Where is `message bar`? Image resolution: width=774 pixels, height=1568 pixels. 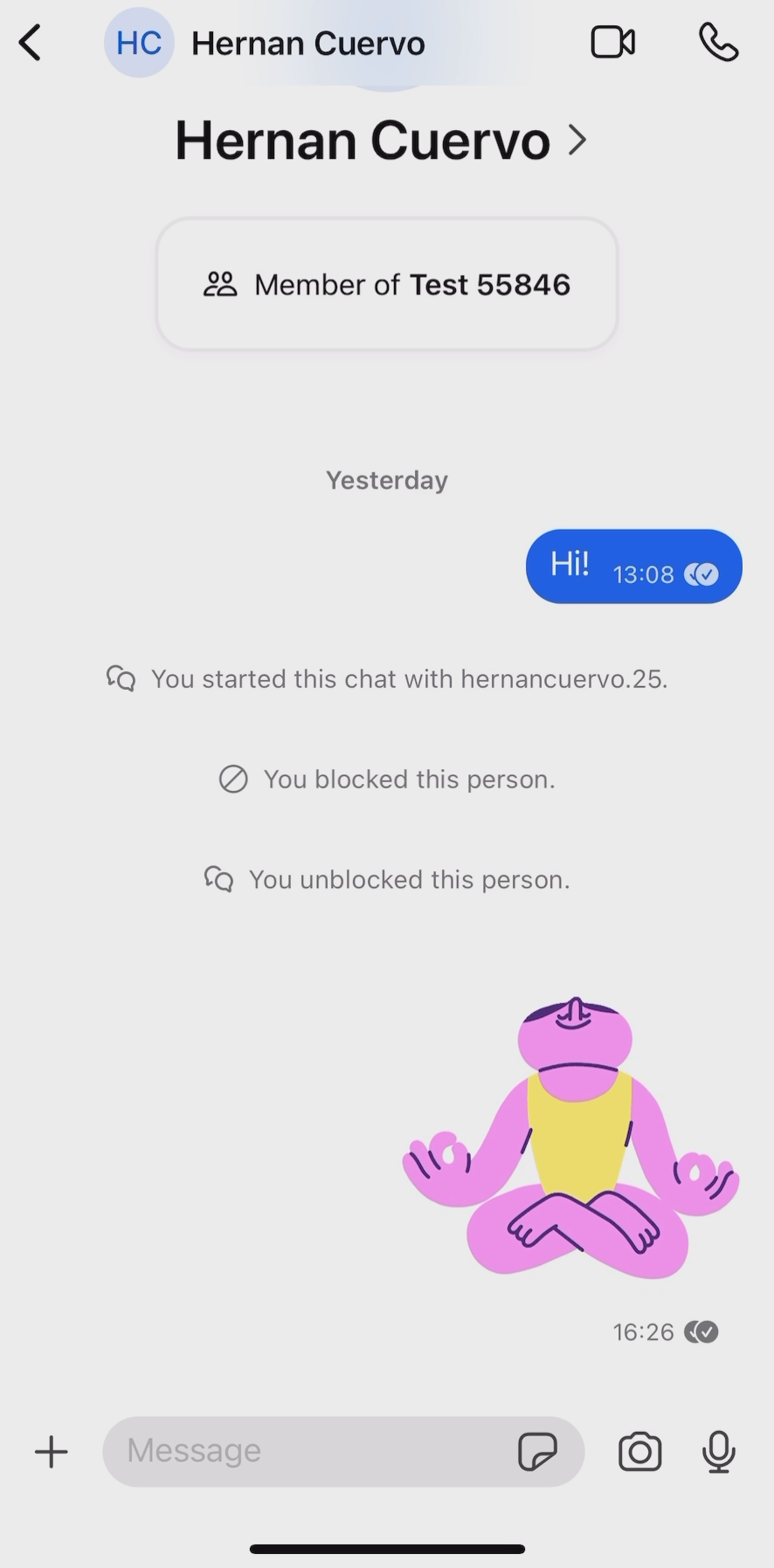 message bar is located at coordinates (309, 1450).